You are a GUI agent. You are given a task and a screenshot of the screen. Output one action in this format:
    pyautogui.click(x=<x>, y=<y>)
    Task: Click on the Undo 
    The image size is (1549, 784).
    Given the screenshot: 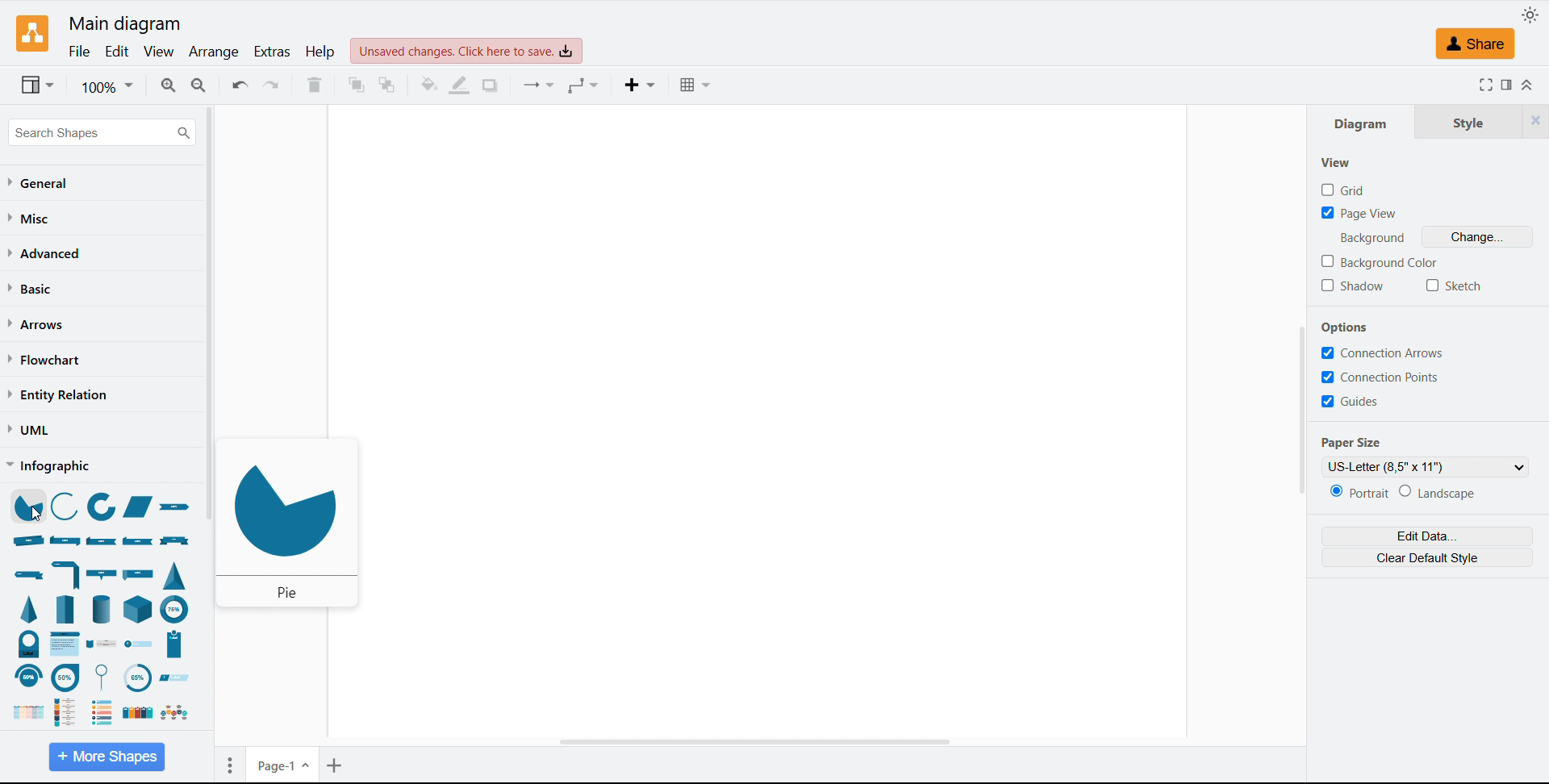 What is the action you would take?
    pyautogui.click(x=239, y=86)
    